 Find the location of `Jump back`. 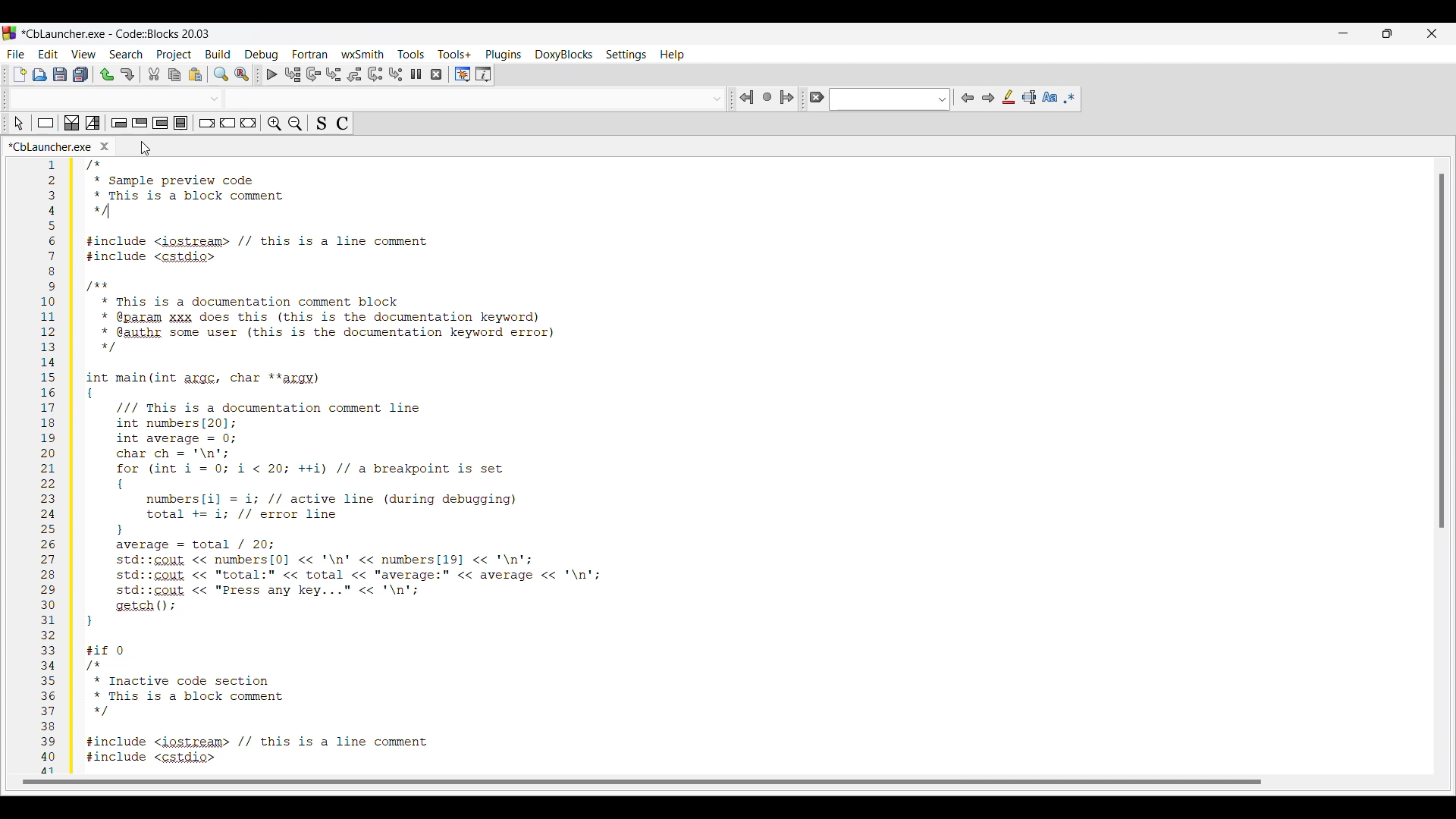

Jump back is located at coordinates (747, 97).